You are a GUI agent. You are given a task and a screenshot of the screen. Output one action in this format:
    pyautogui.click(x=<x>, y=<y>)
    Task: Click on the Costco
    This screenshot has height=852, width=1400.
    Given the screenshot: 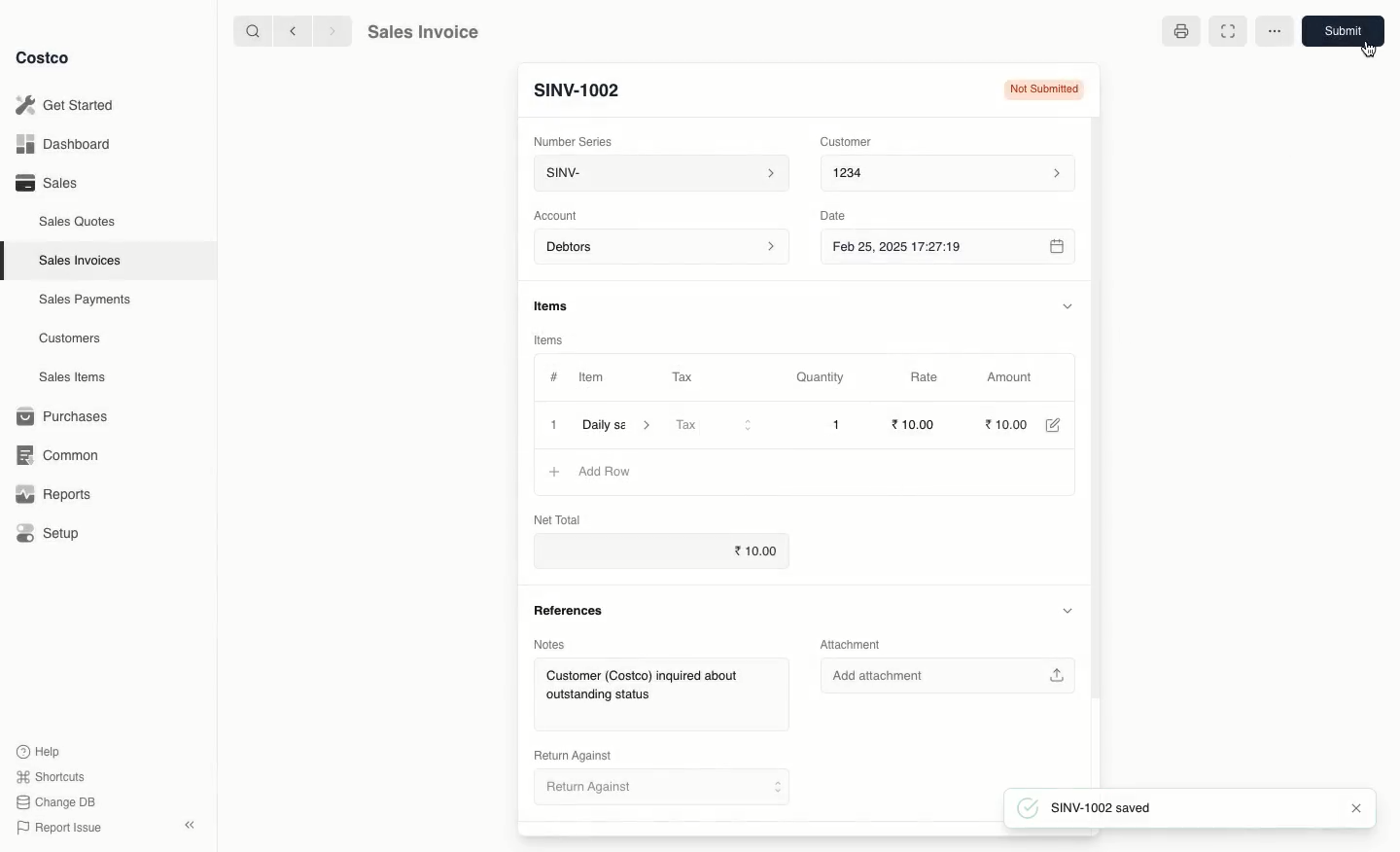 What is the action you would take?
    pyautogui.click(x=45, y=57)
    